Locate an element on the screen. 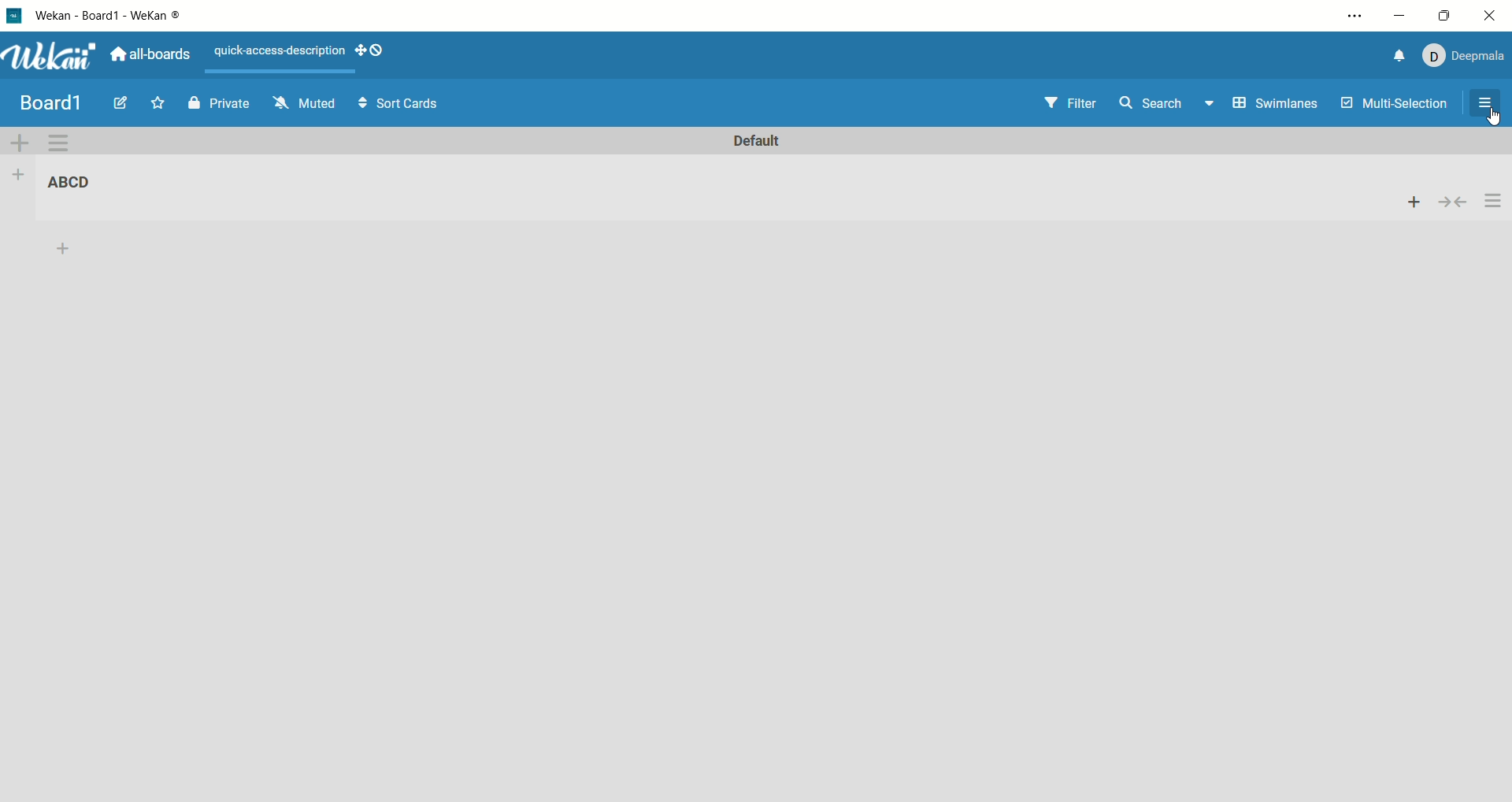 This screenshot has height=802, width=1512. swimlane action is located at coordinates (65, 144).